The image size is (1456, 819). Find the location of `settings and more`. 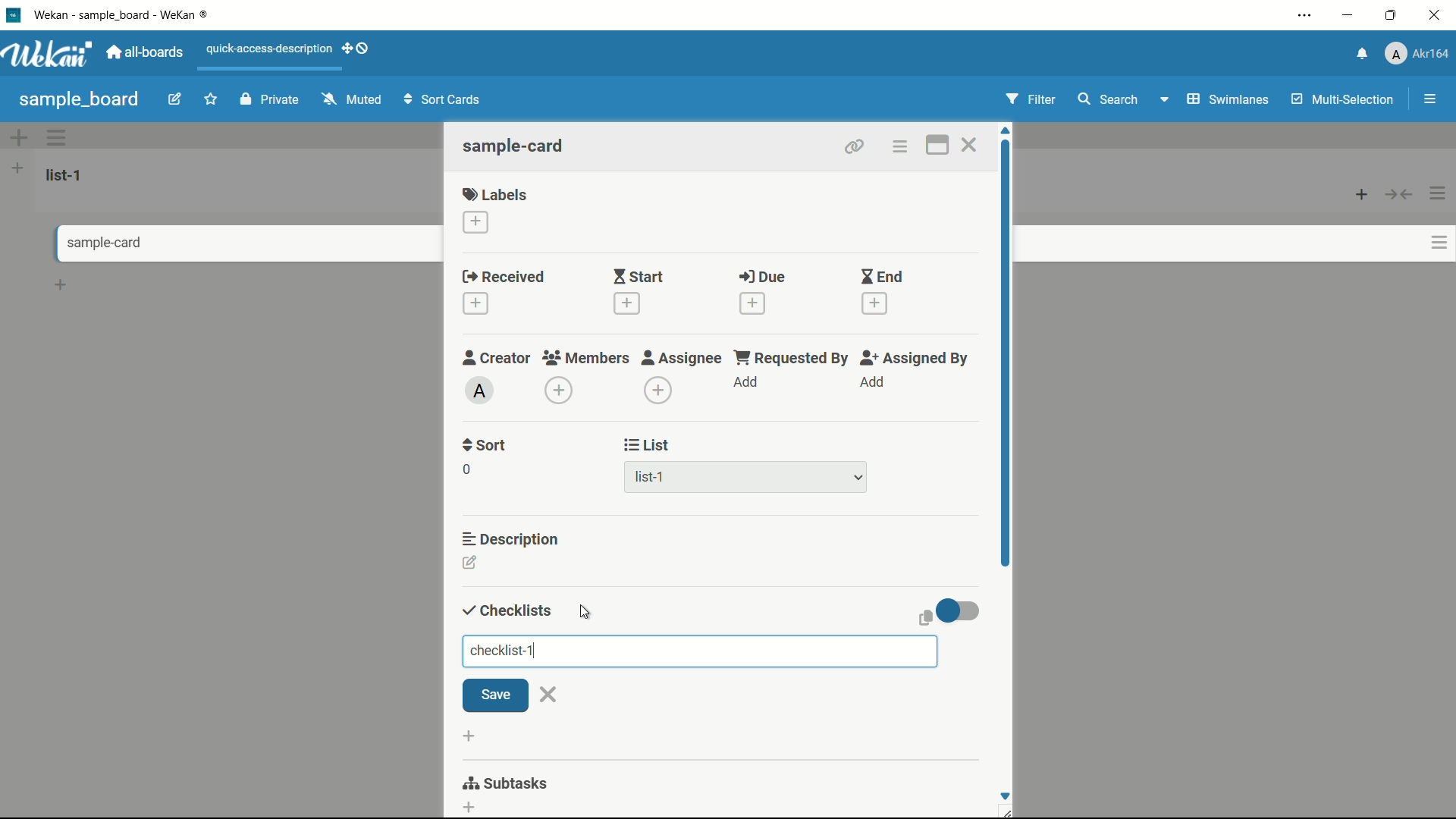

settings and more is located at coordinates (1307, 17).